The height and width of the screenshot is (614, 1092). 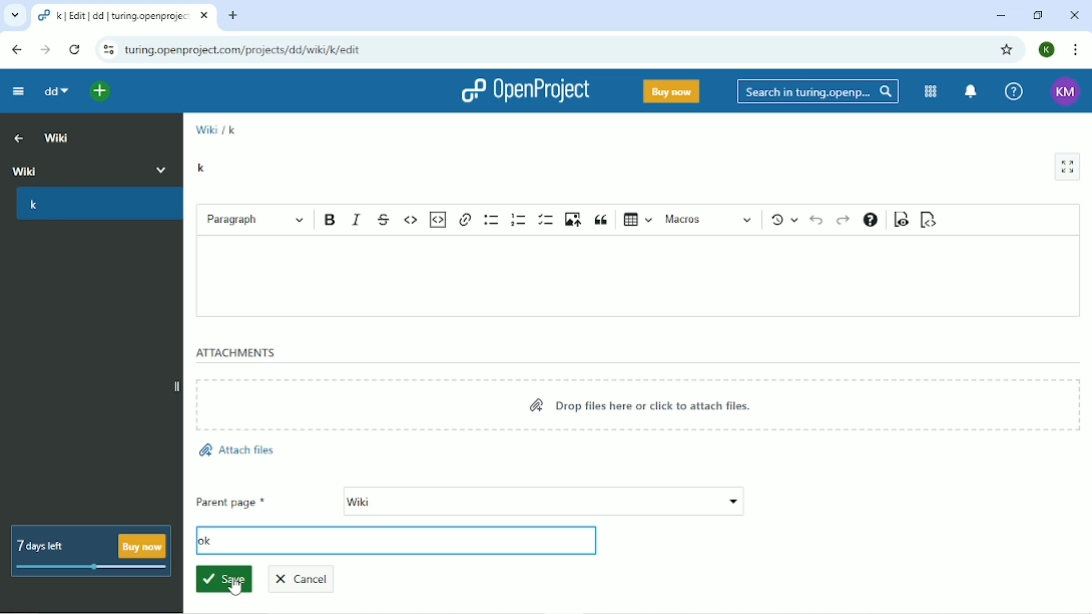 I want to click on Show local modifications, so click(x=783, y=219).